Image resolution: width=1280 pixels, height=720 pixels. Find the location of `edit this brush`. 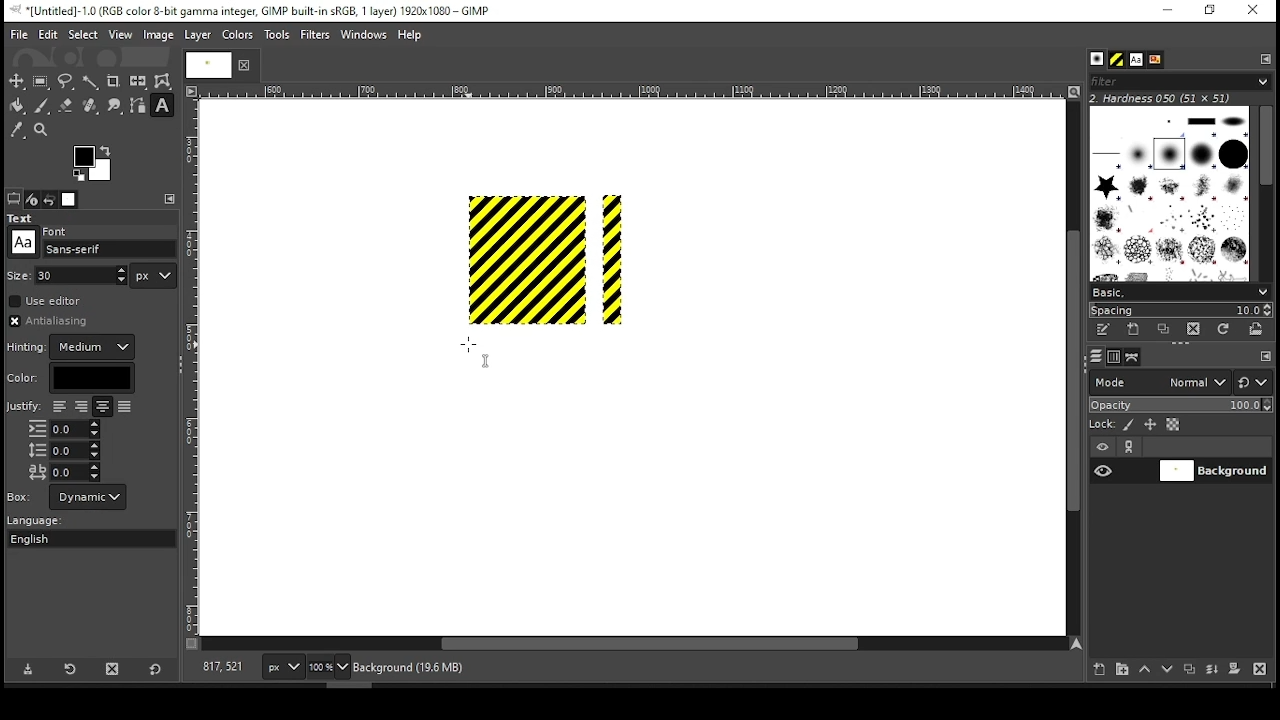

edit this brush is located at coordinates (1102, 331).